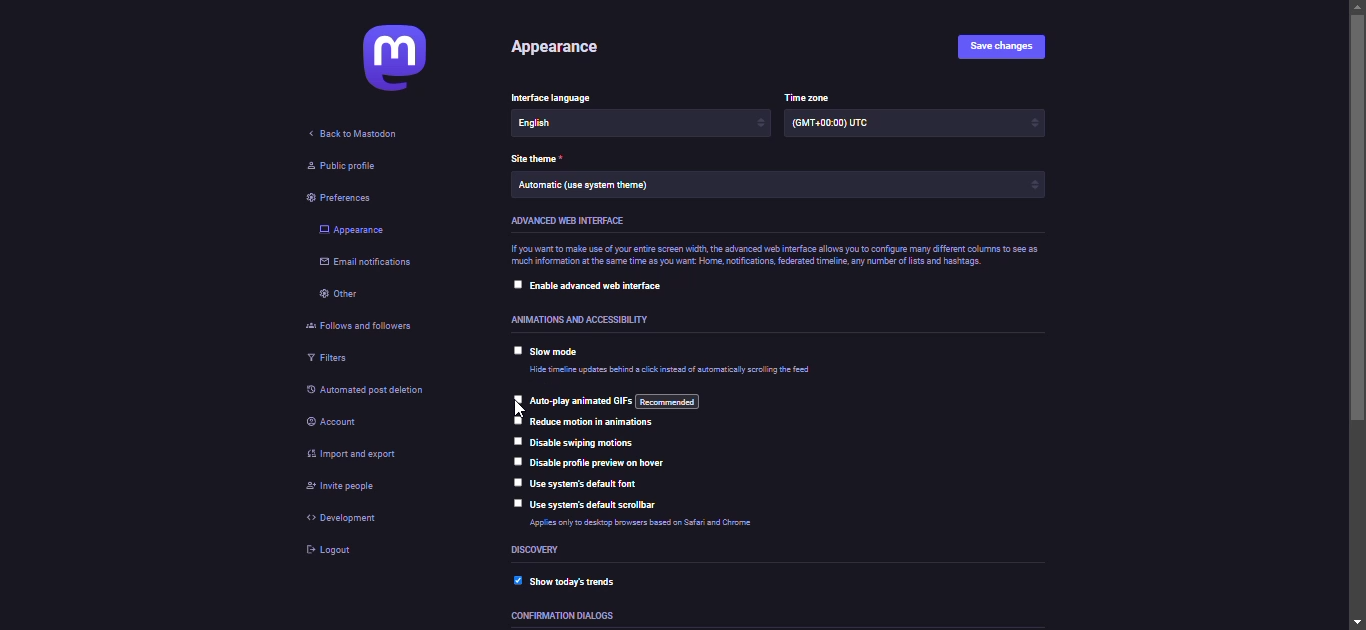 The height and width of the screenshot is (630, 1366). What do you see at coordinates (372, 390) in the screenshot?
I see `automated post deletion` at bounding box center [372, 390].